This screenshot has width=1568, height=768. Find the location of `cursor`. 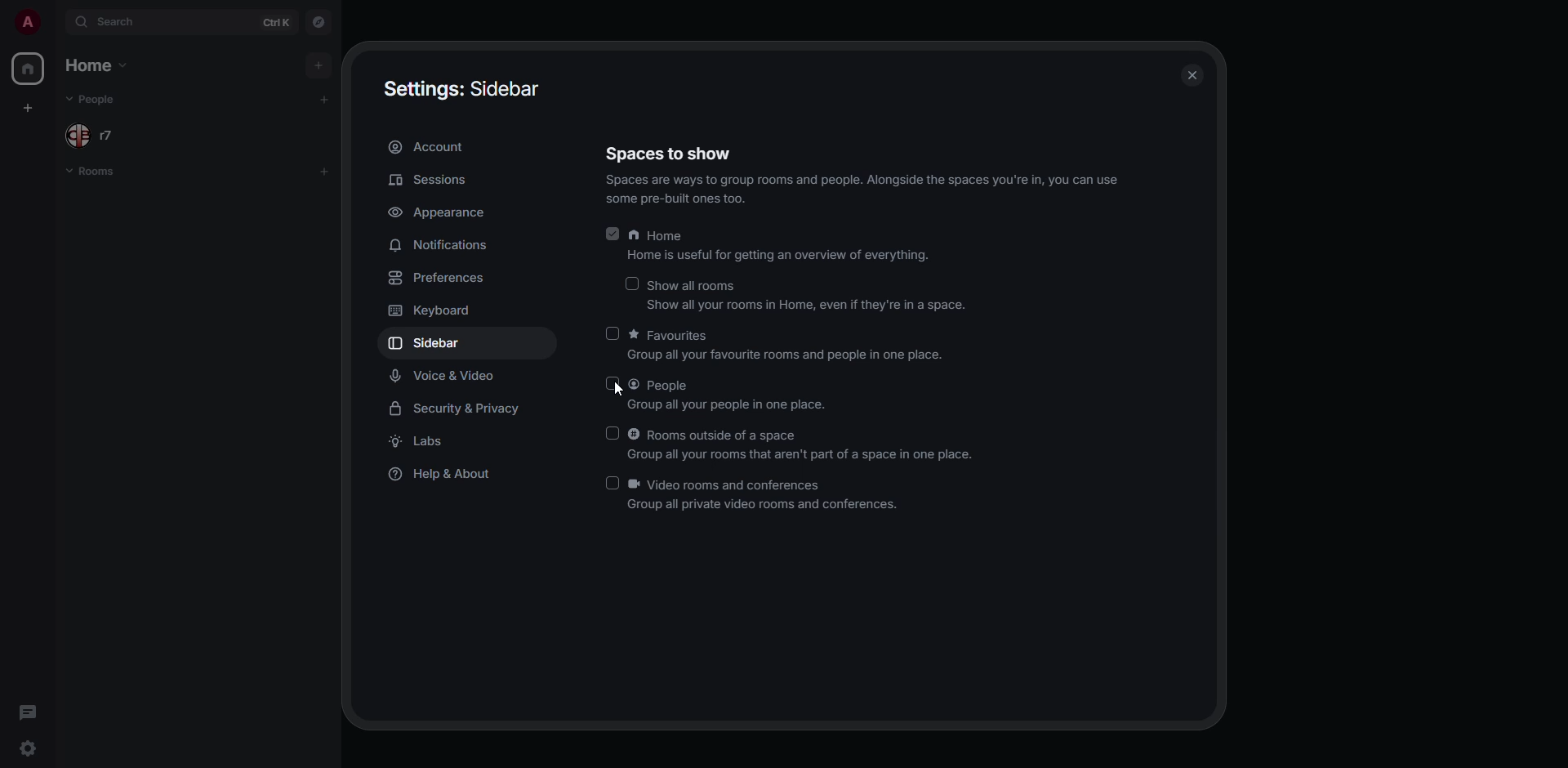

cursor is located at coordinates (613, 390).